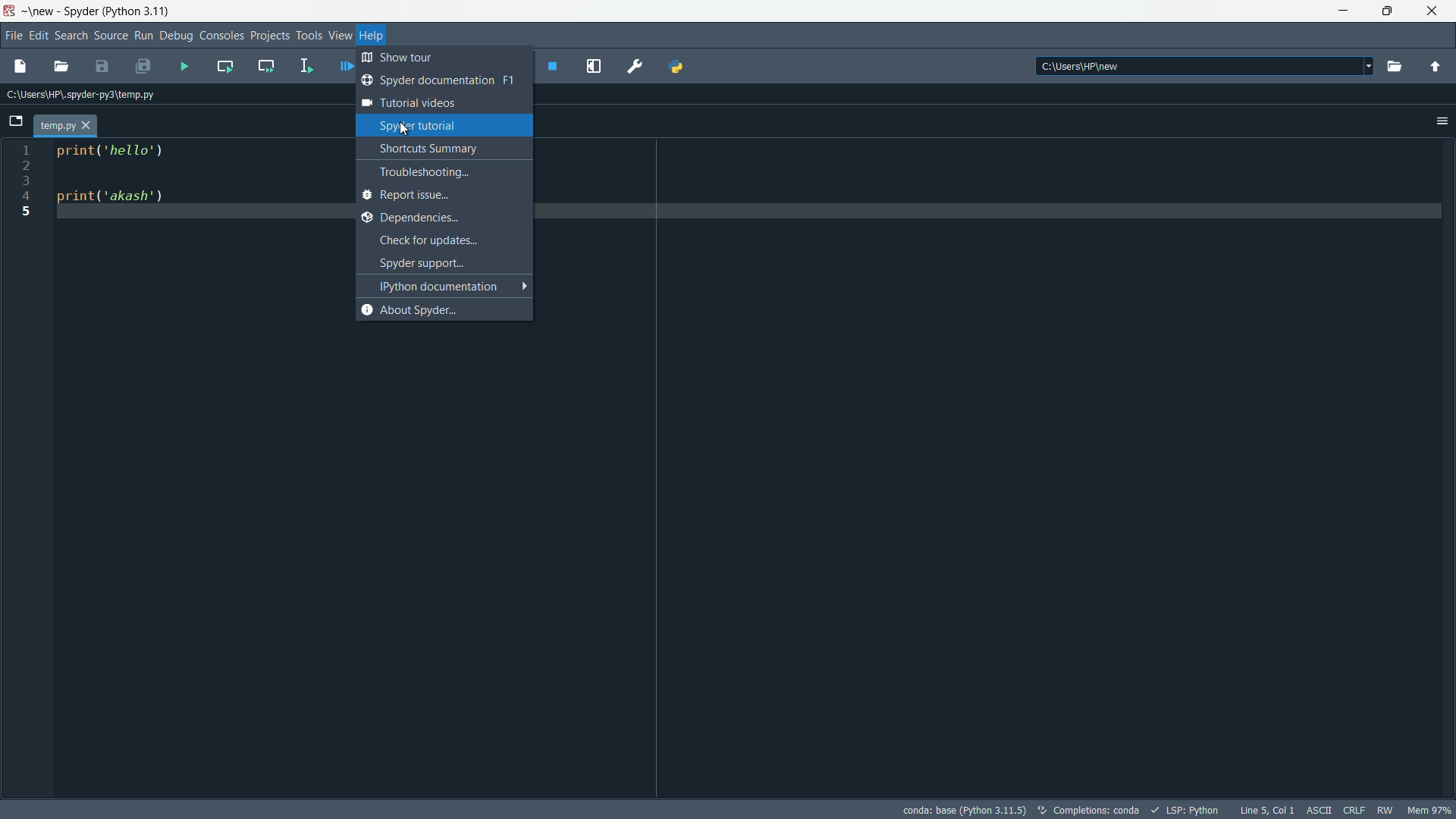  Describe the element at coordinates (71, 36) in the screenshot. I see `search menu` at that location.